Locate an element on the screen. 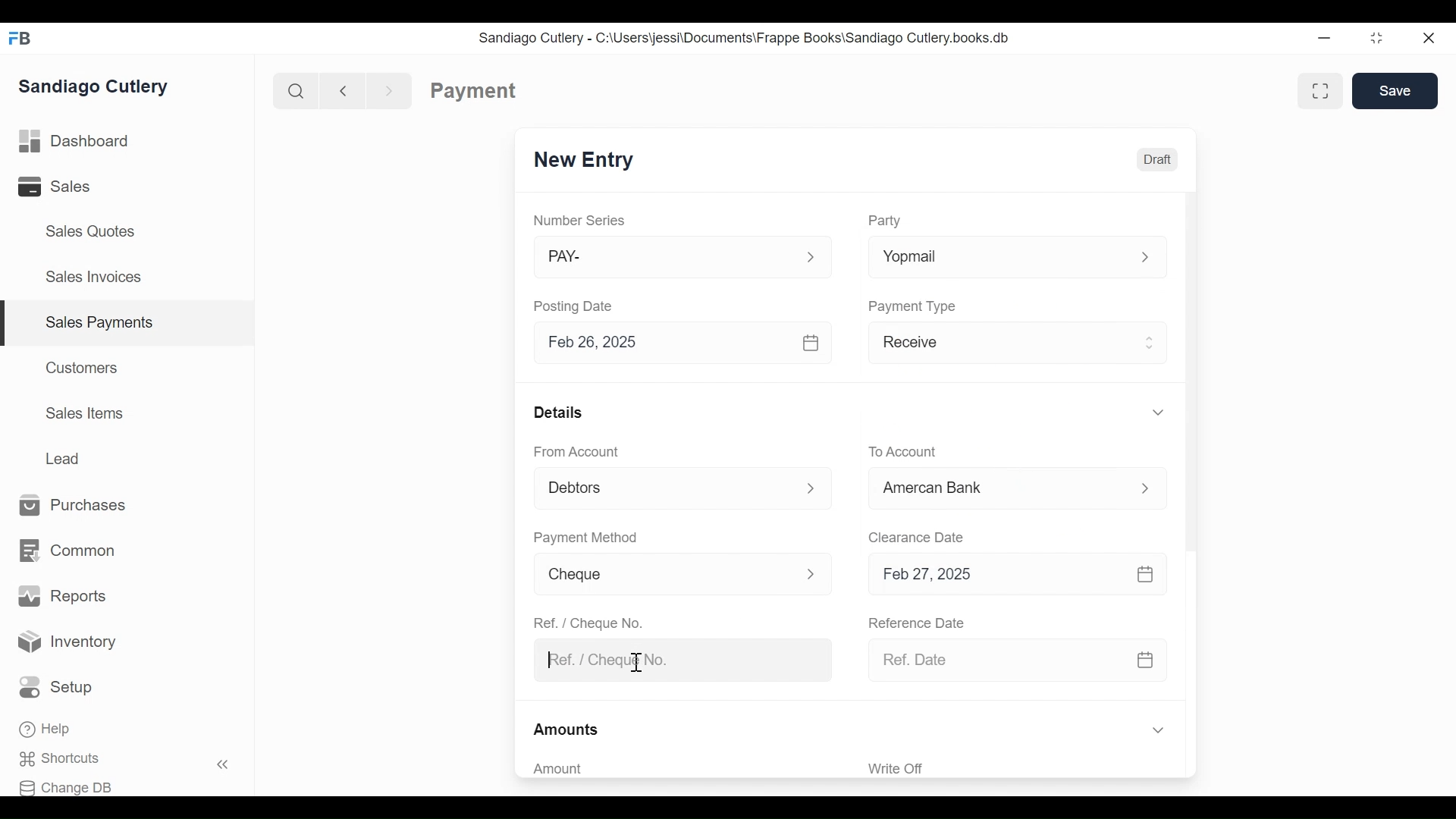  Dashboard is located at coordinates (74, 142).